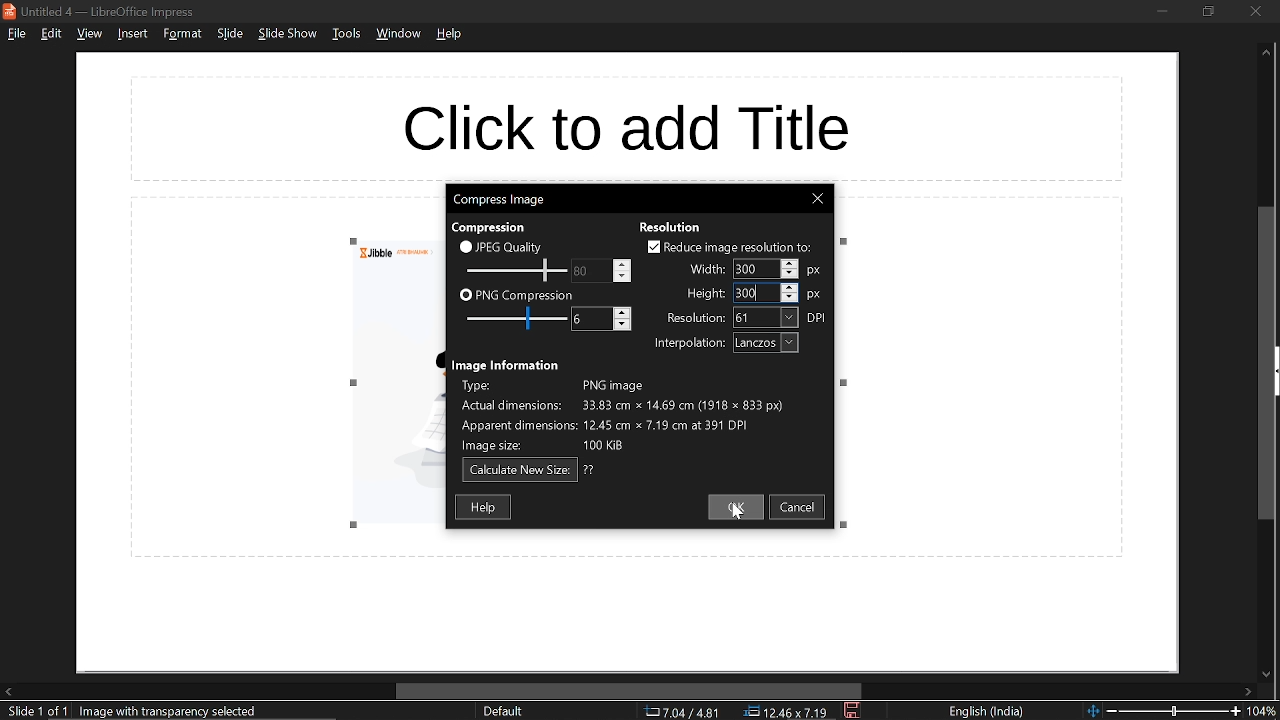 Image resolution: width=1280 pixels, height=720 pixels. What do you see at coordinates (519, 470) in the screenshot?
I see `calculate new size` at bounding box center [519, 470].